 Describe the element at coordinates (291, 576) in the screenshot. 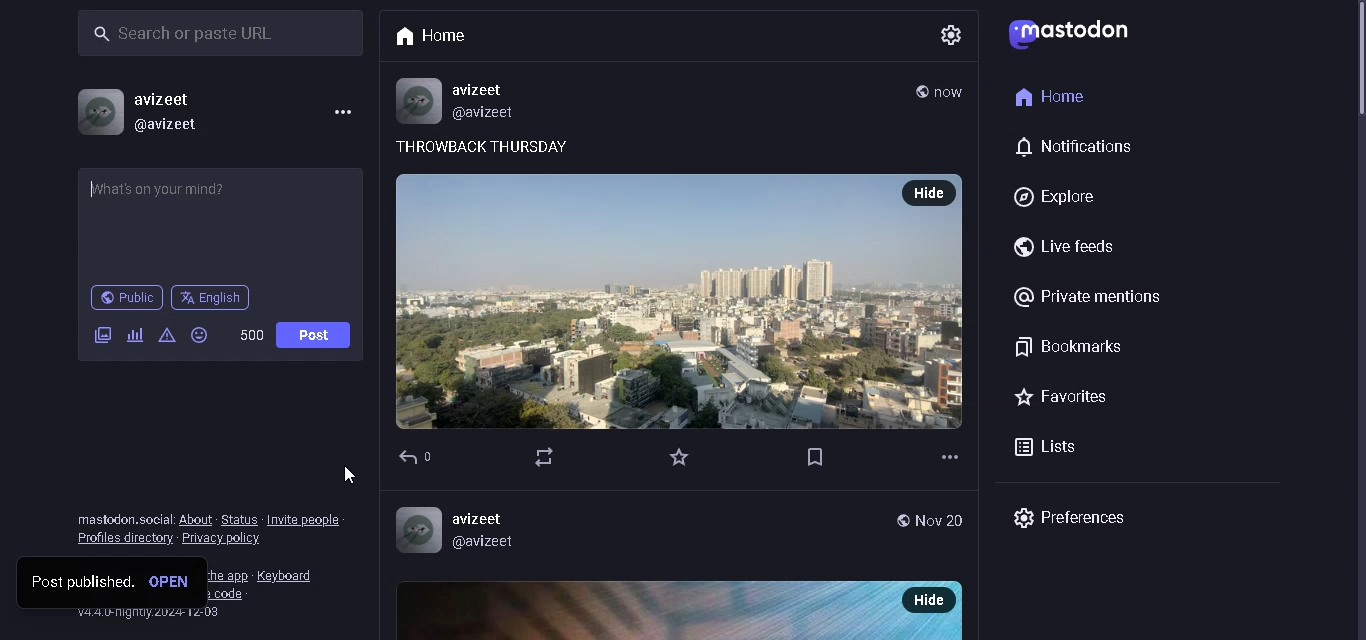

I see `keyboard` at that location.